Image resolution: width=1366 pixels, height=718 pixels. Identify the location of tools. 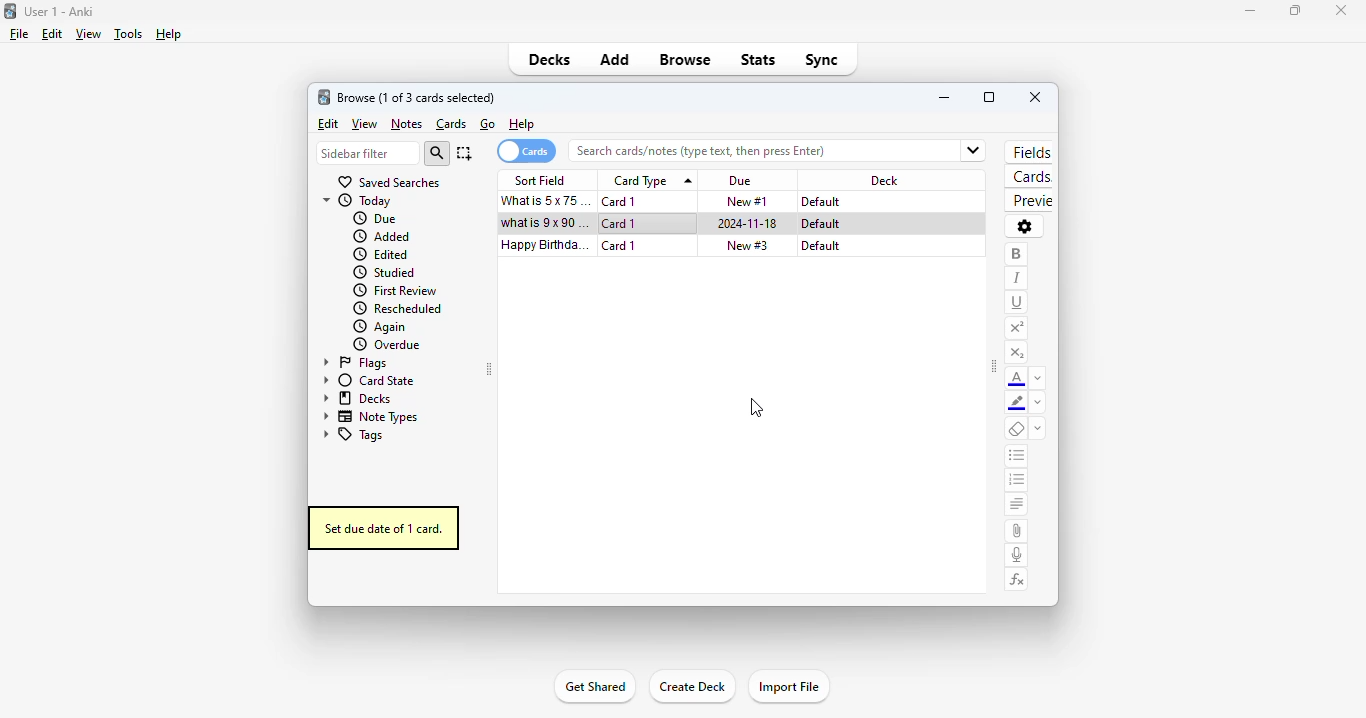
(128, 34).